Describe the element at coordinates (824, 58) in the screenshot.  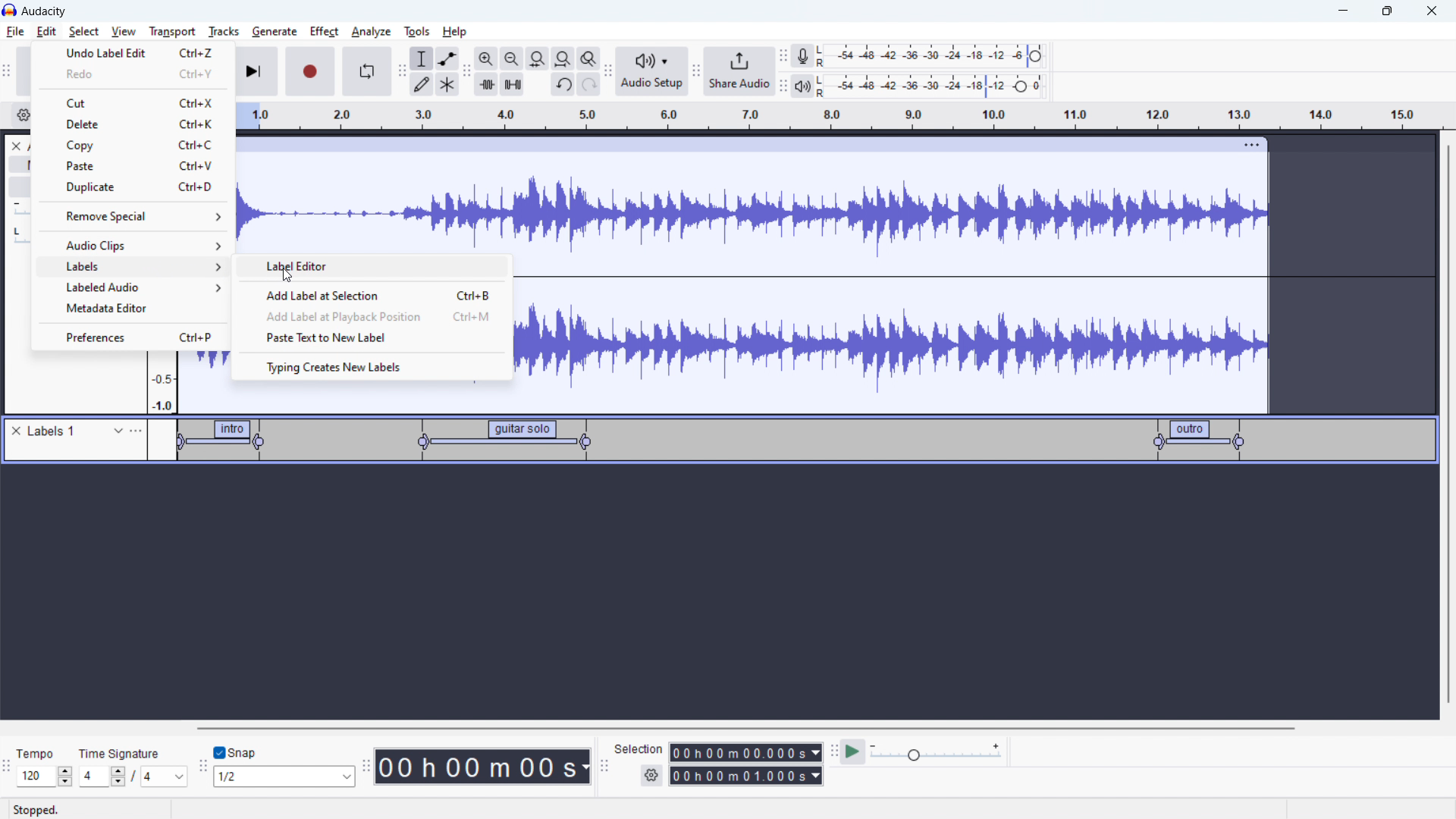
I see `left and right channels` at that location.